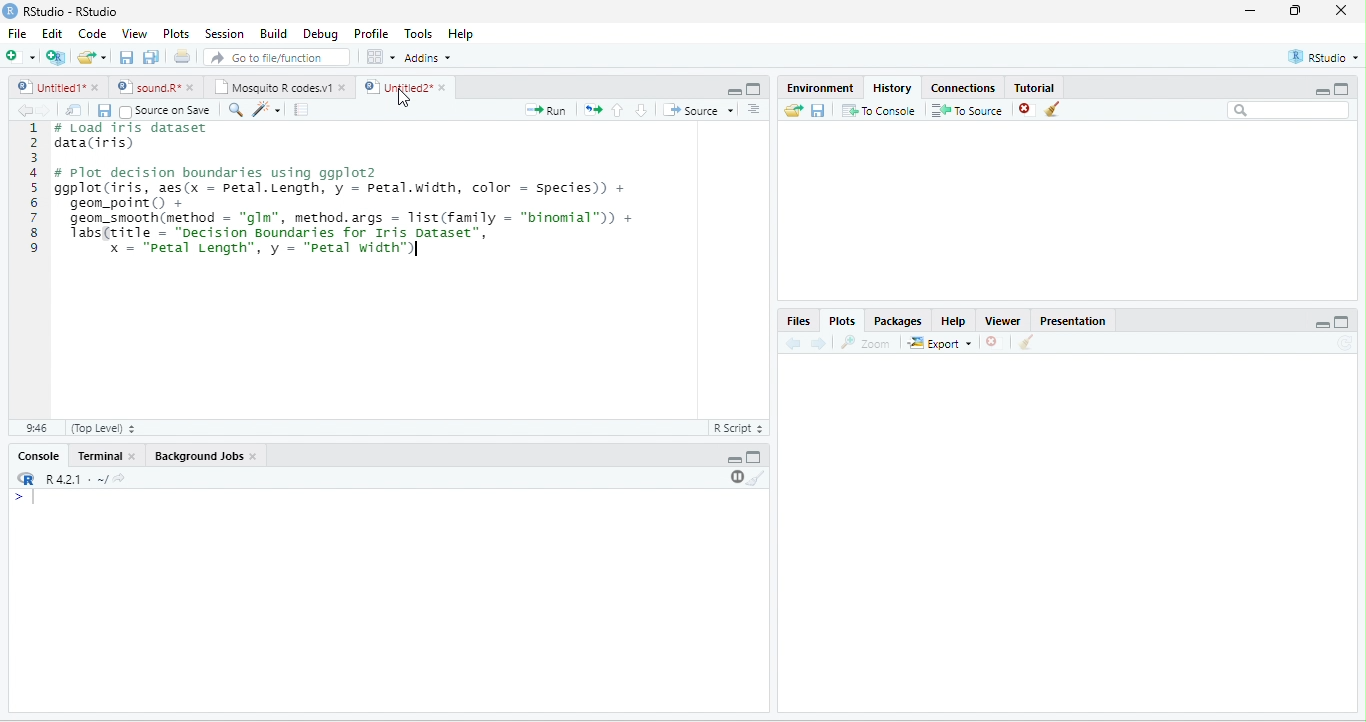 This screenshot has height=722, width=1366. I want to click on show in new window, so click(75, 110).